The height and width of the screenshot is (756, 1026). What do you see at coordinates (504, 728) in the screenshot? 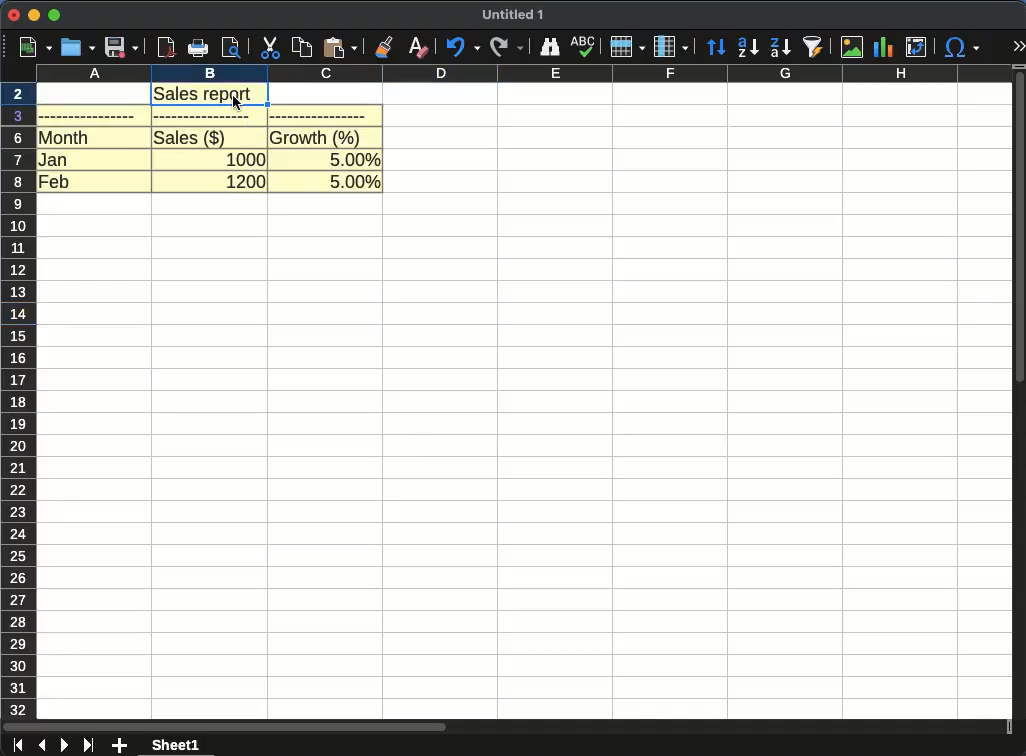
I see `scroll` at bounding box center [504, 728].